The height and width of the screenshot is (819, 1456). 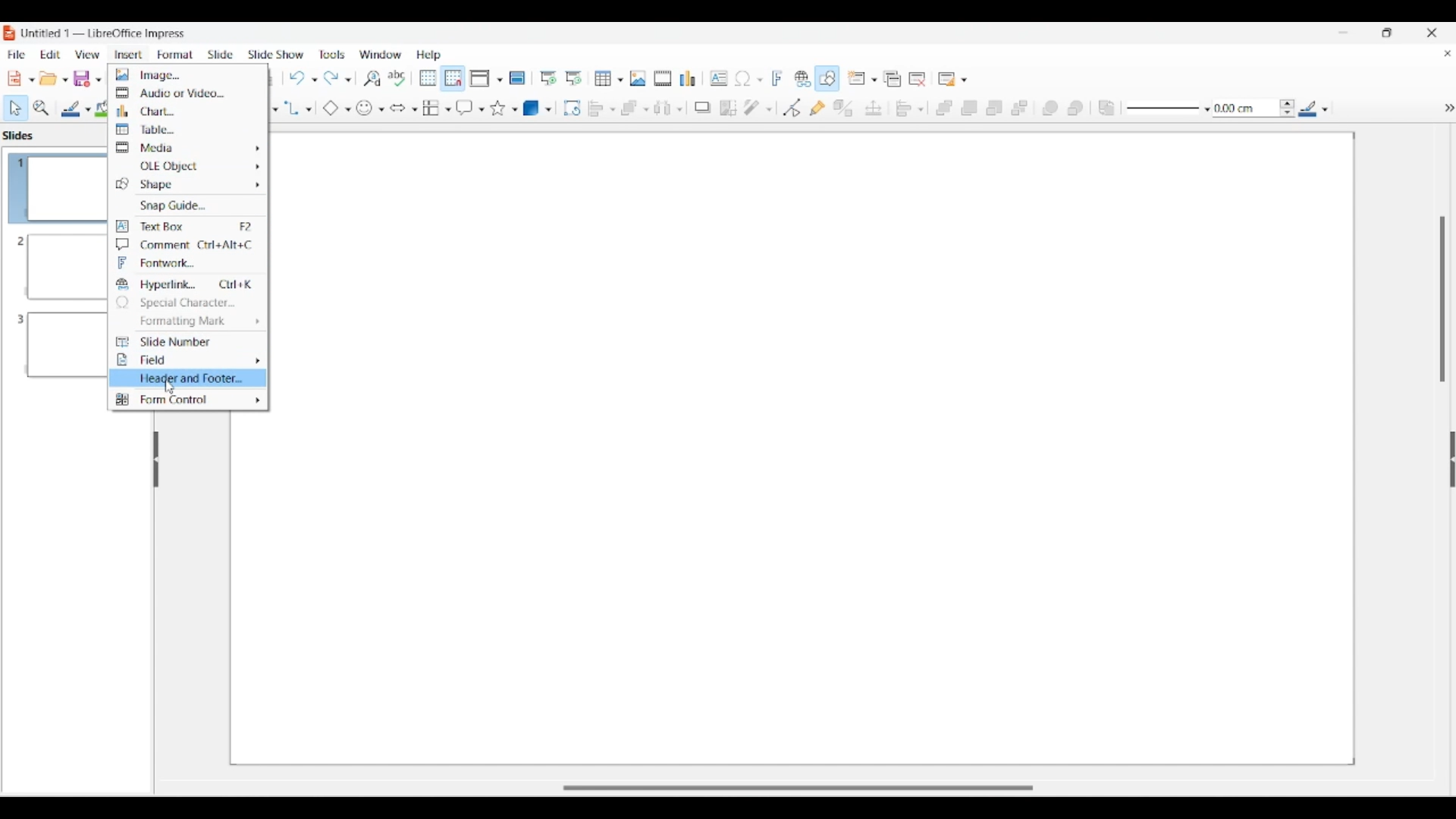 What do you see at coordinates (187, 226) in the screenshot?
I see `Text box` at bounding box center [187, 226].